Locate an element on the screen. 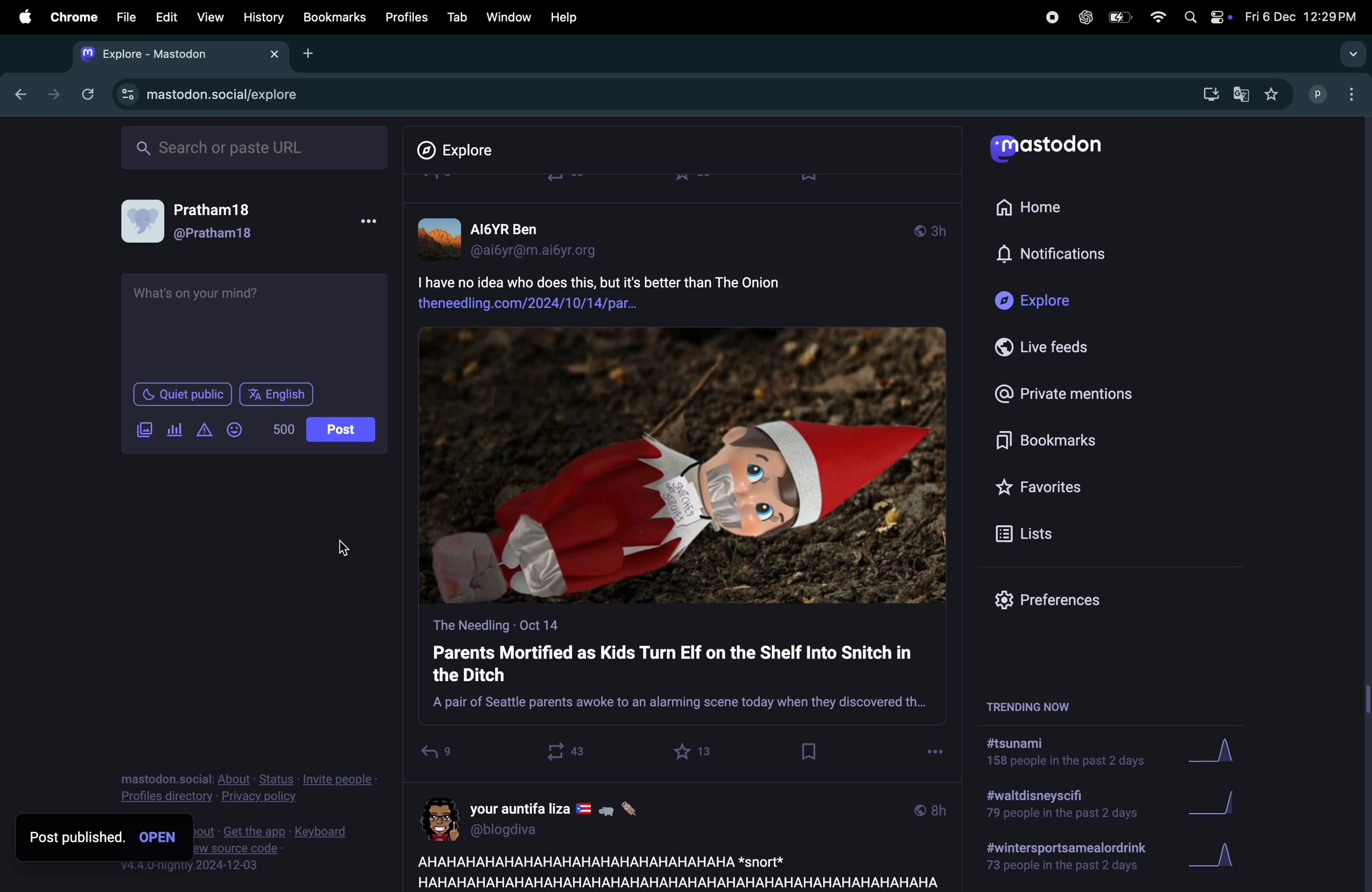 The height and width of the screenshot is (892, 1372). graph is located at coordinates (1213, 859).